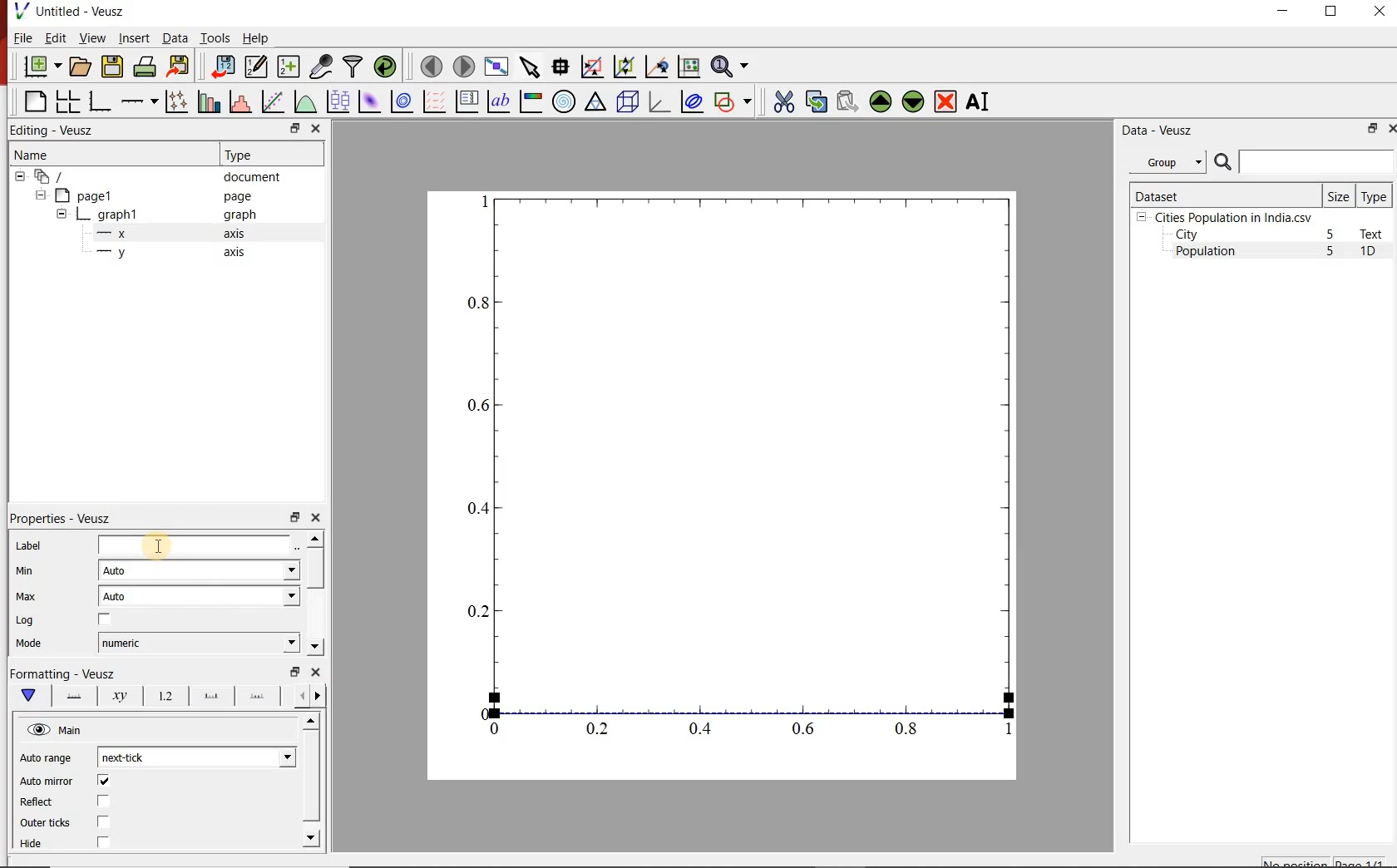 The height and width of the screenshot is (868, 1397). Describe the element at coordinates (626, 101) in the screenshot. I see `3d scene` at that location.